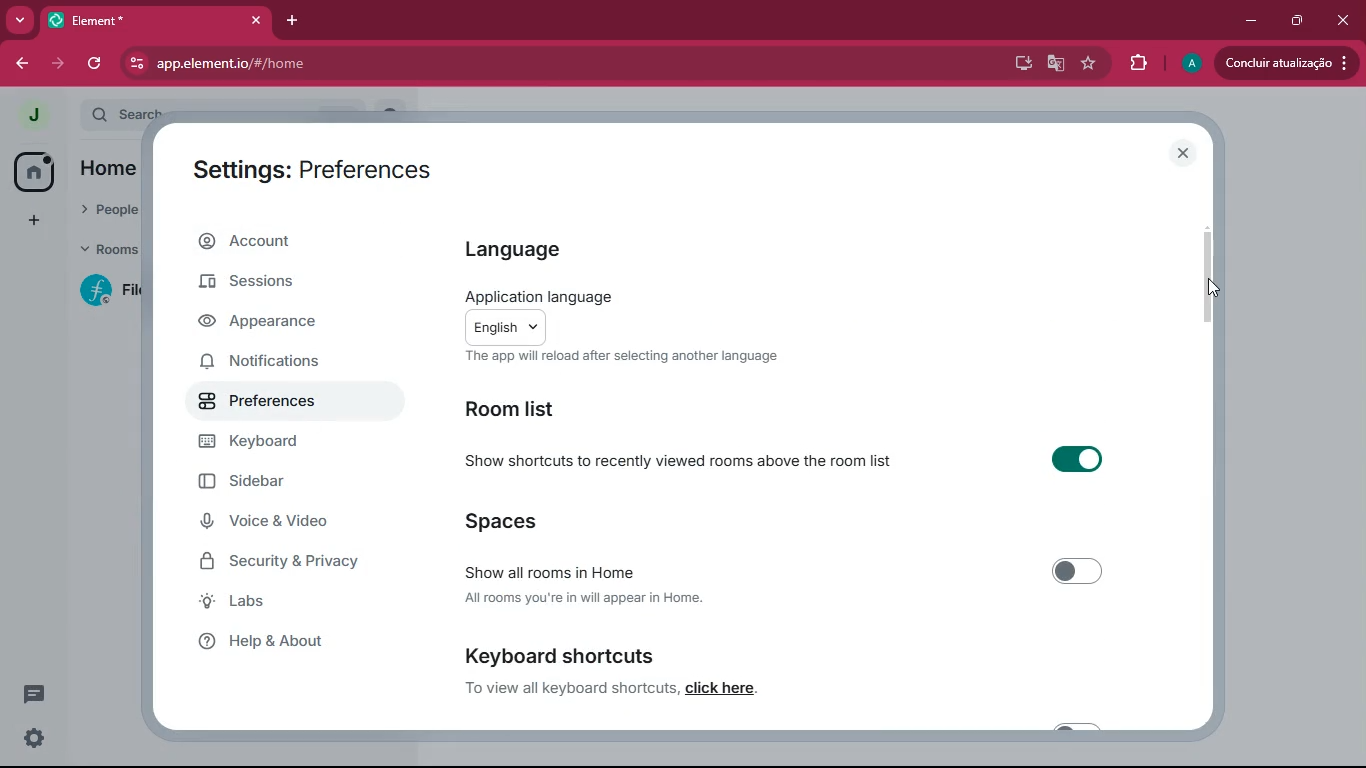 This screenshot has height=768, width=1366. Describe the element at coordinates (521, 411) in the screenshot. I see `room list` at that location.